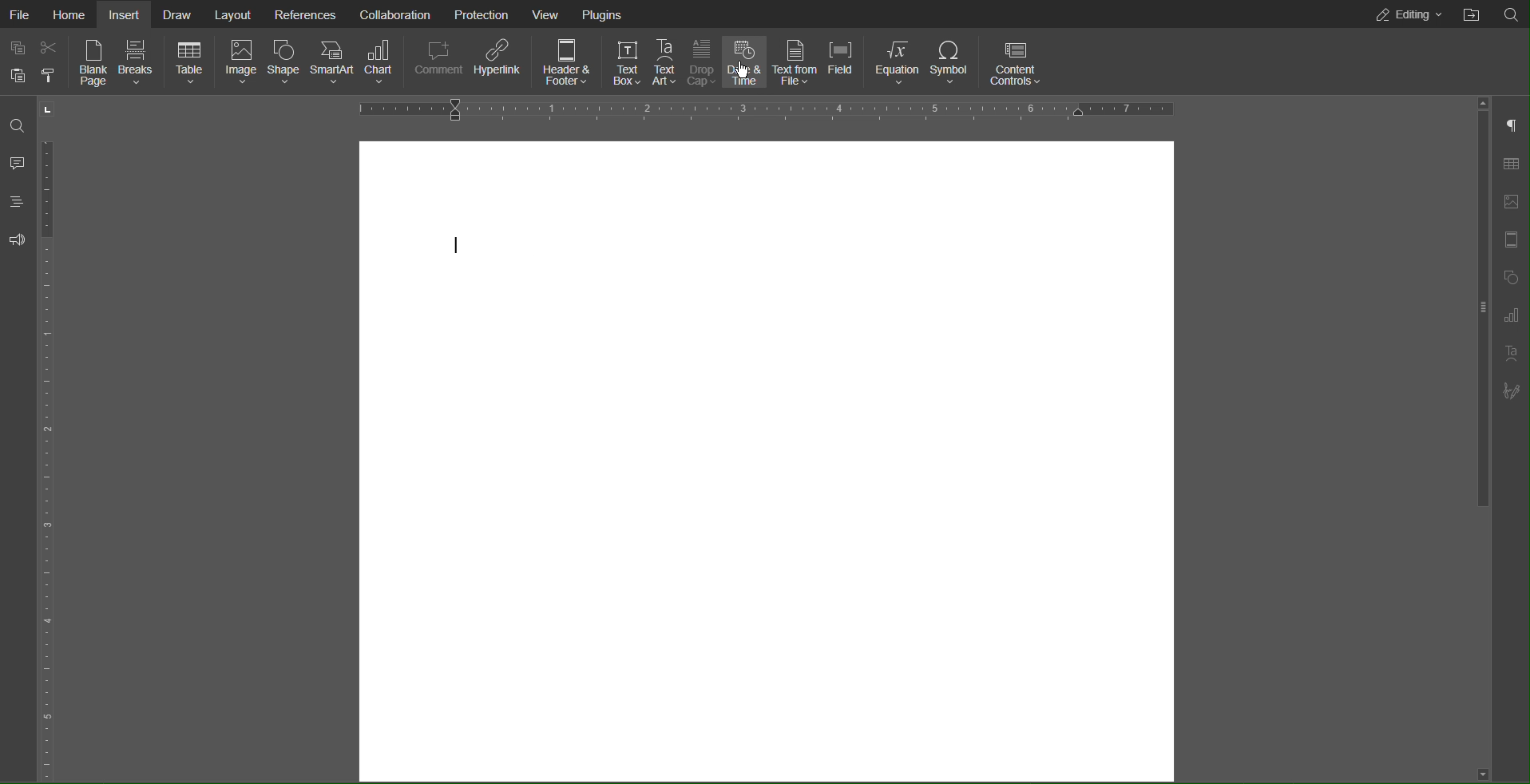 The image size is (1530, 784). Describe the element at coordinates (758, 109) in the screenshot. I see `Horizontal Ruler` at that location.